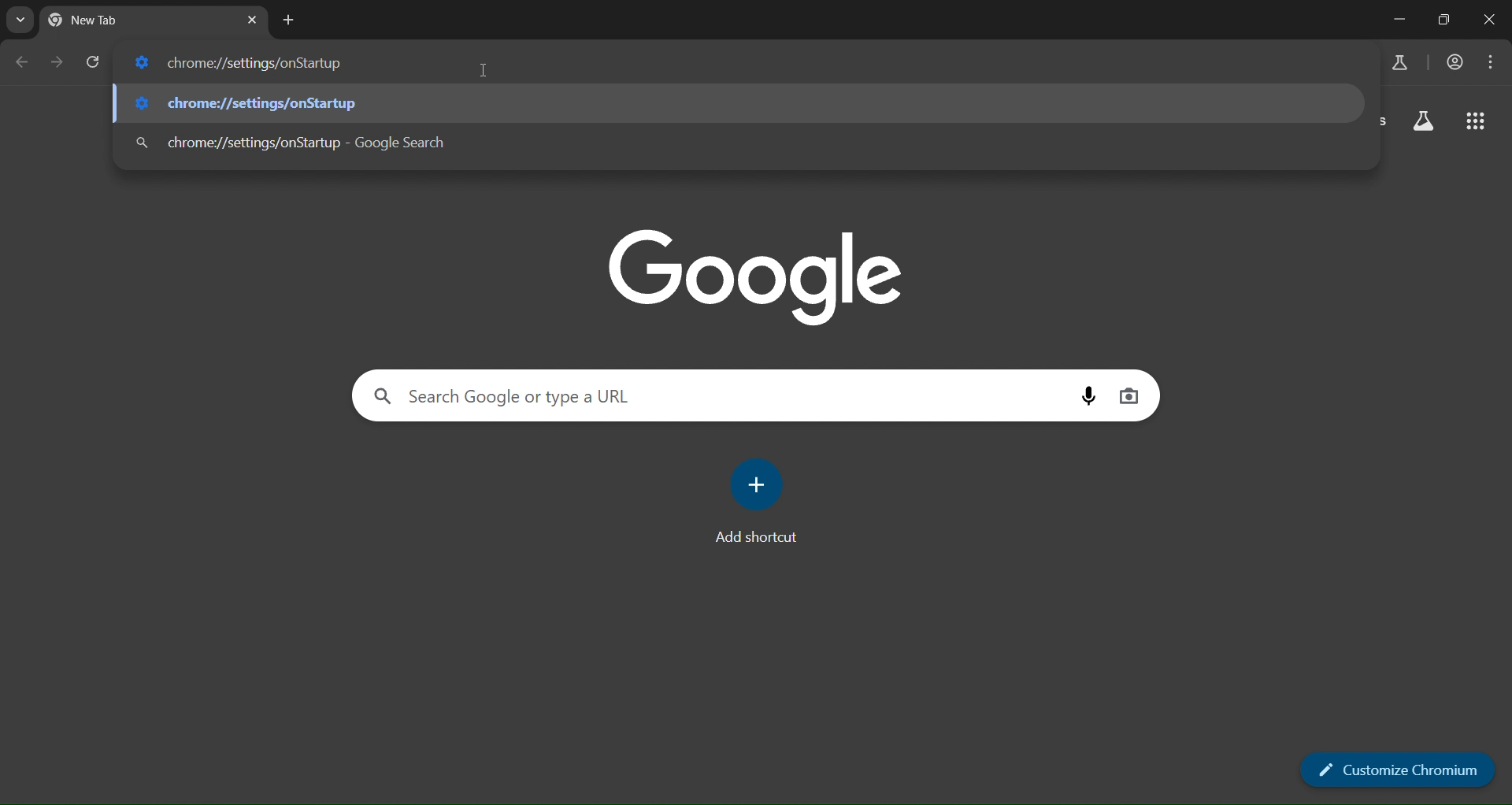 The height and width of the screenshot is (805, 1512). I want to click on new tab, so click(289, 19).